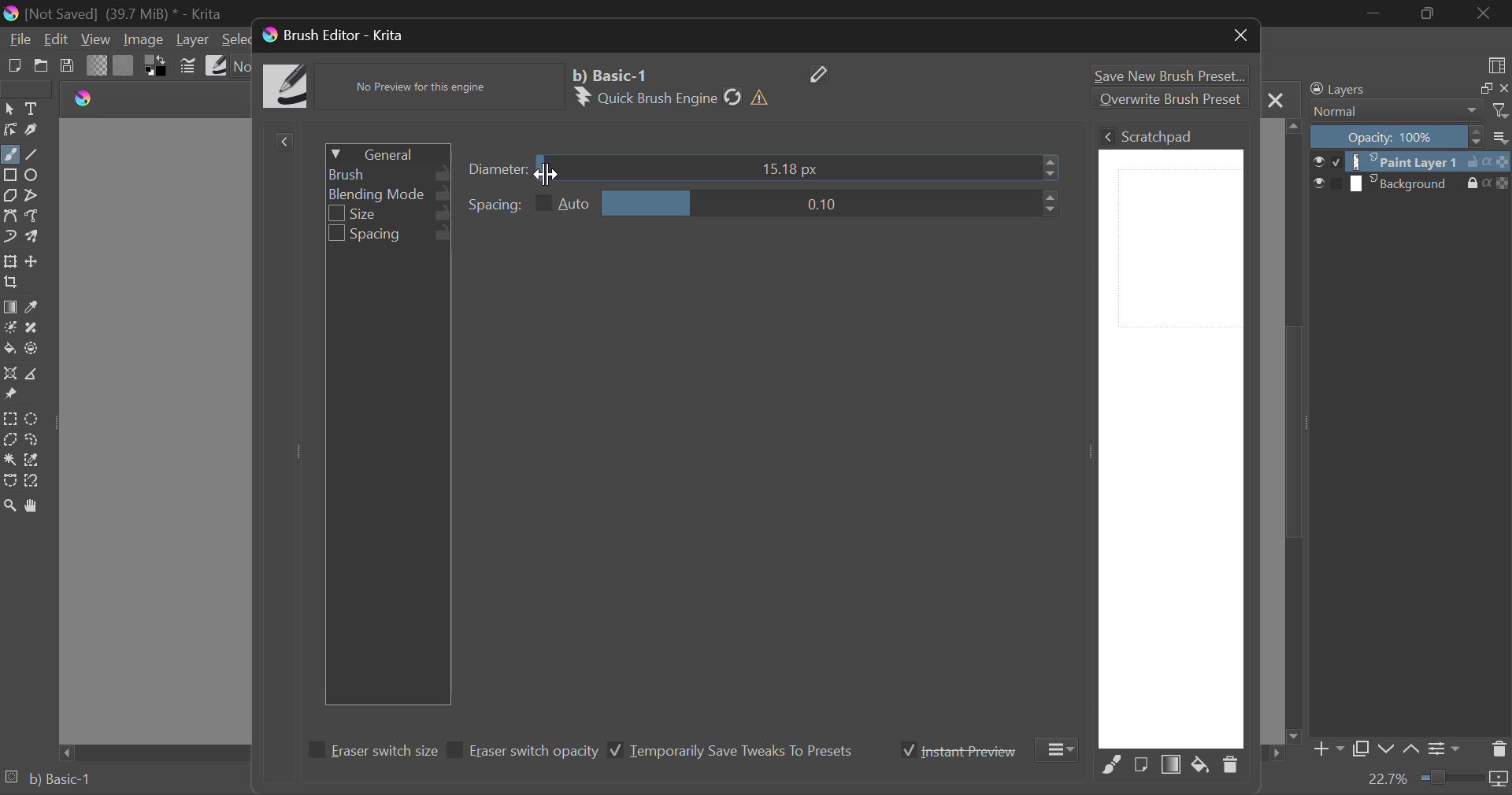 This screenshot has width=1512, height=795. Describe the element at coordinates (1362, 749) in the screenshot. I see `Copy Layer` at that location.